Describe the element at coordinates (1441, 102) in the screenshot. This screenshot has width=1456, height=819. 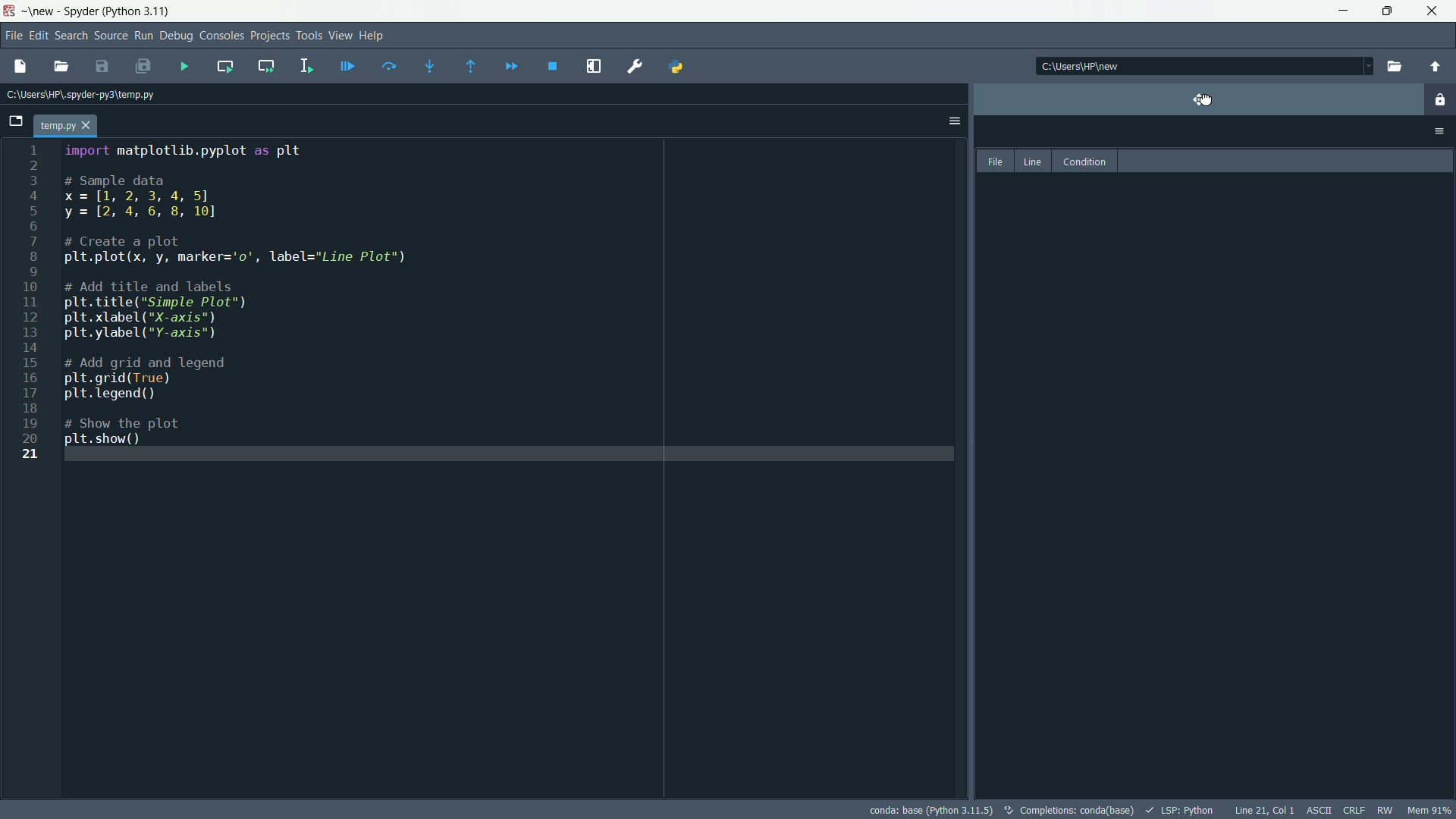
I see `menu` at that location.